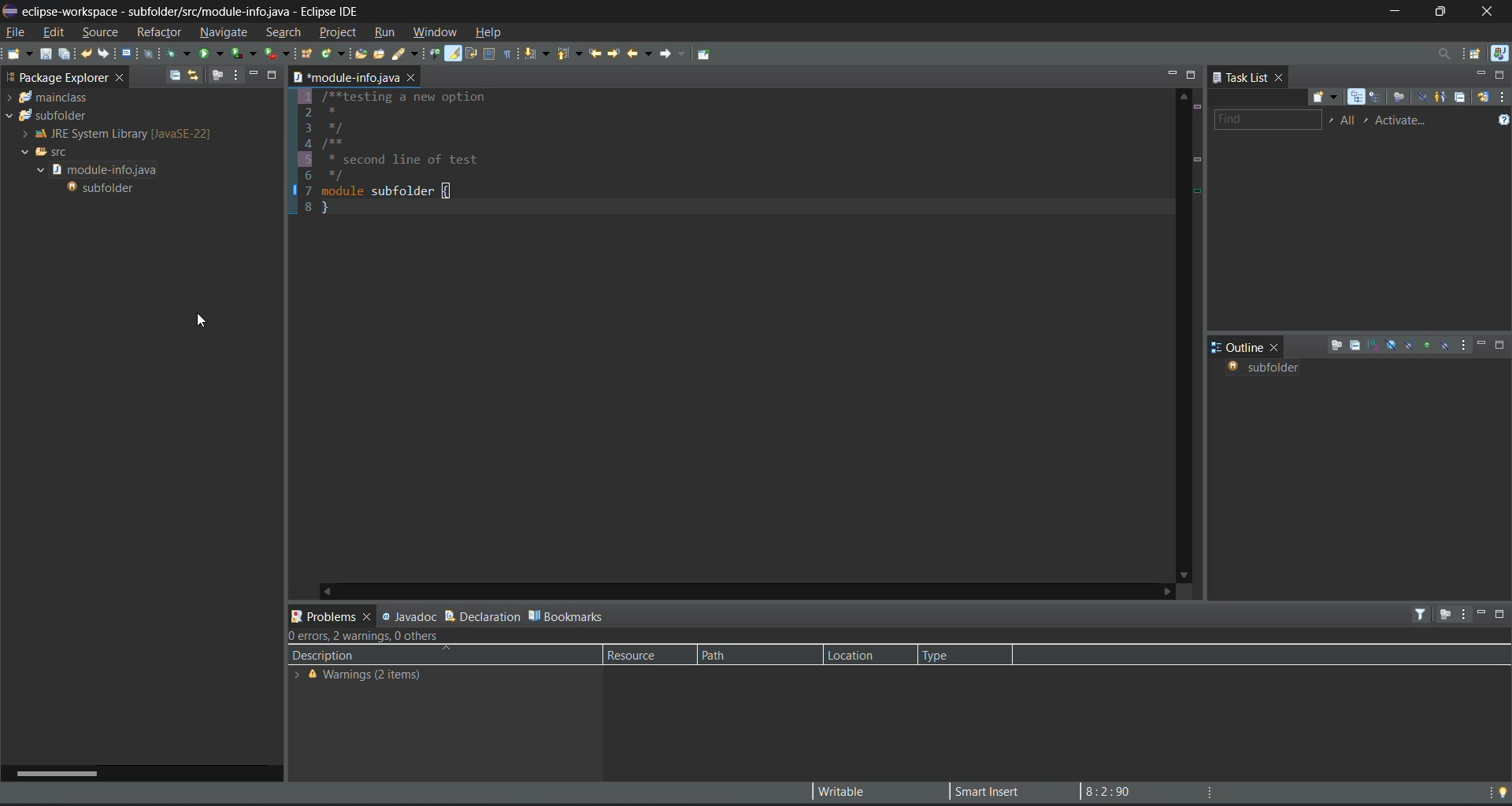 The width and height of the screenshot is (1512, 806). Describe the element at coordinates (1481, 74) in the screenshot. I see `minimize` at that location.